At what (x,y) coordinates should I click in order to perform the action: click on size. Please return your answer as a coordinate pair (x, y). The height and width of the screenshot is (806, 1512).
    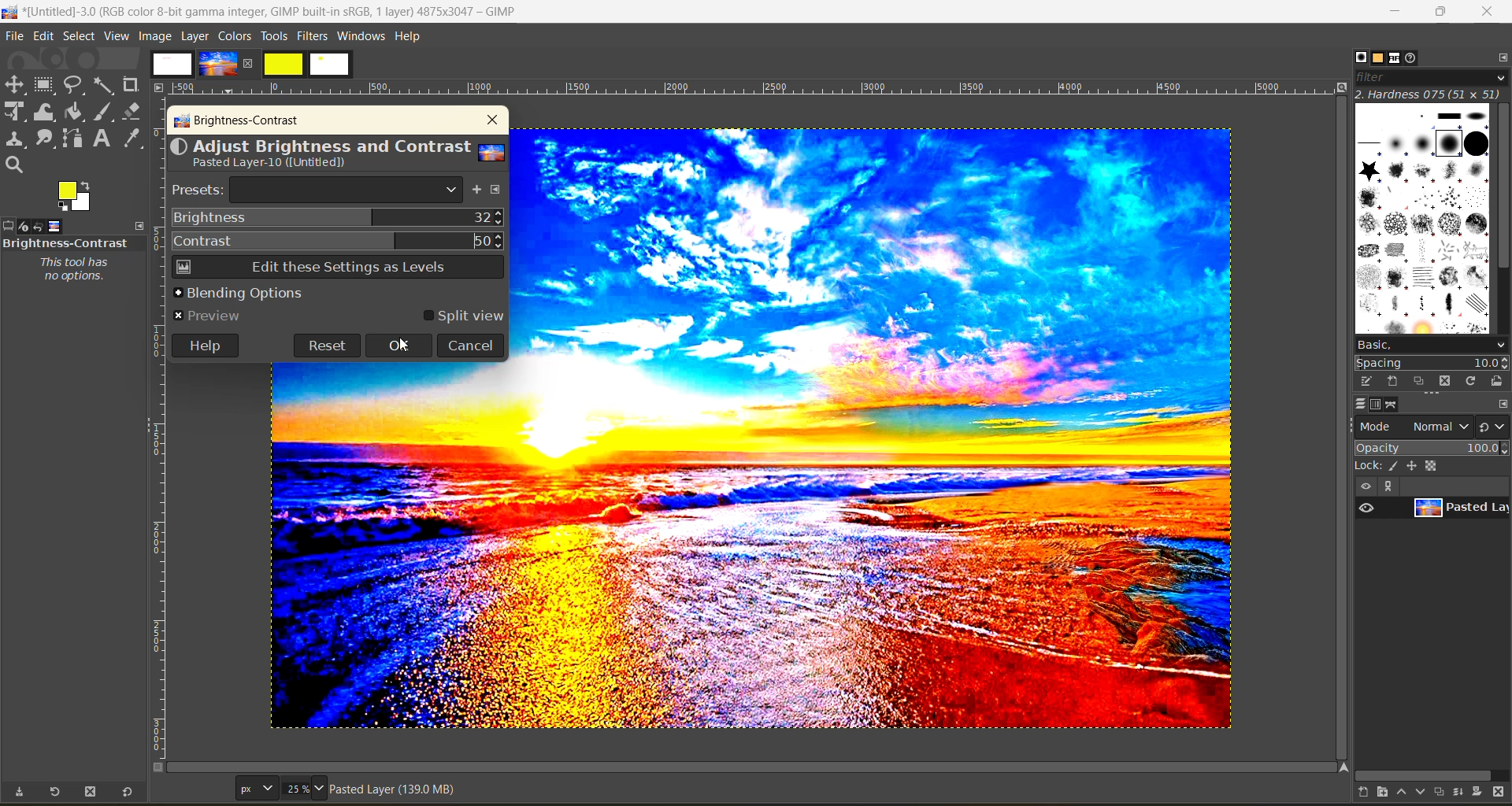
    Looking at the image, I should click on (283, 788).